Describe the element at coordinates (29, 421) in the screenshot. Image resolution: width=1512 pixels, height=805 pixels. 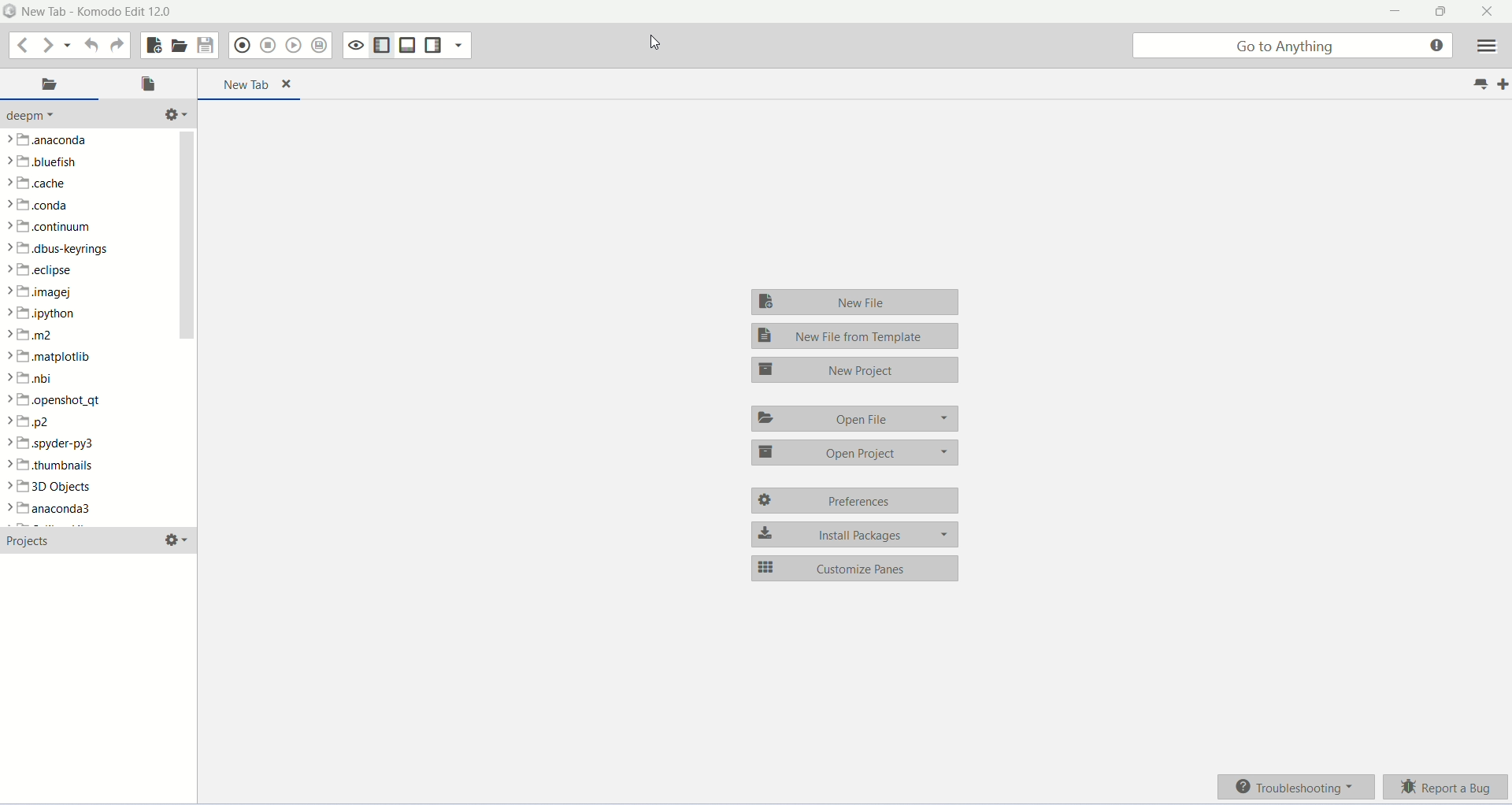
I see `p2` at that location.